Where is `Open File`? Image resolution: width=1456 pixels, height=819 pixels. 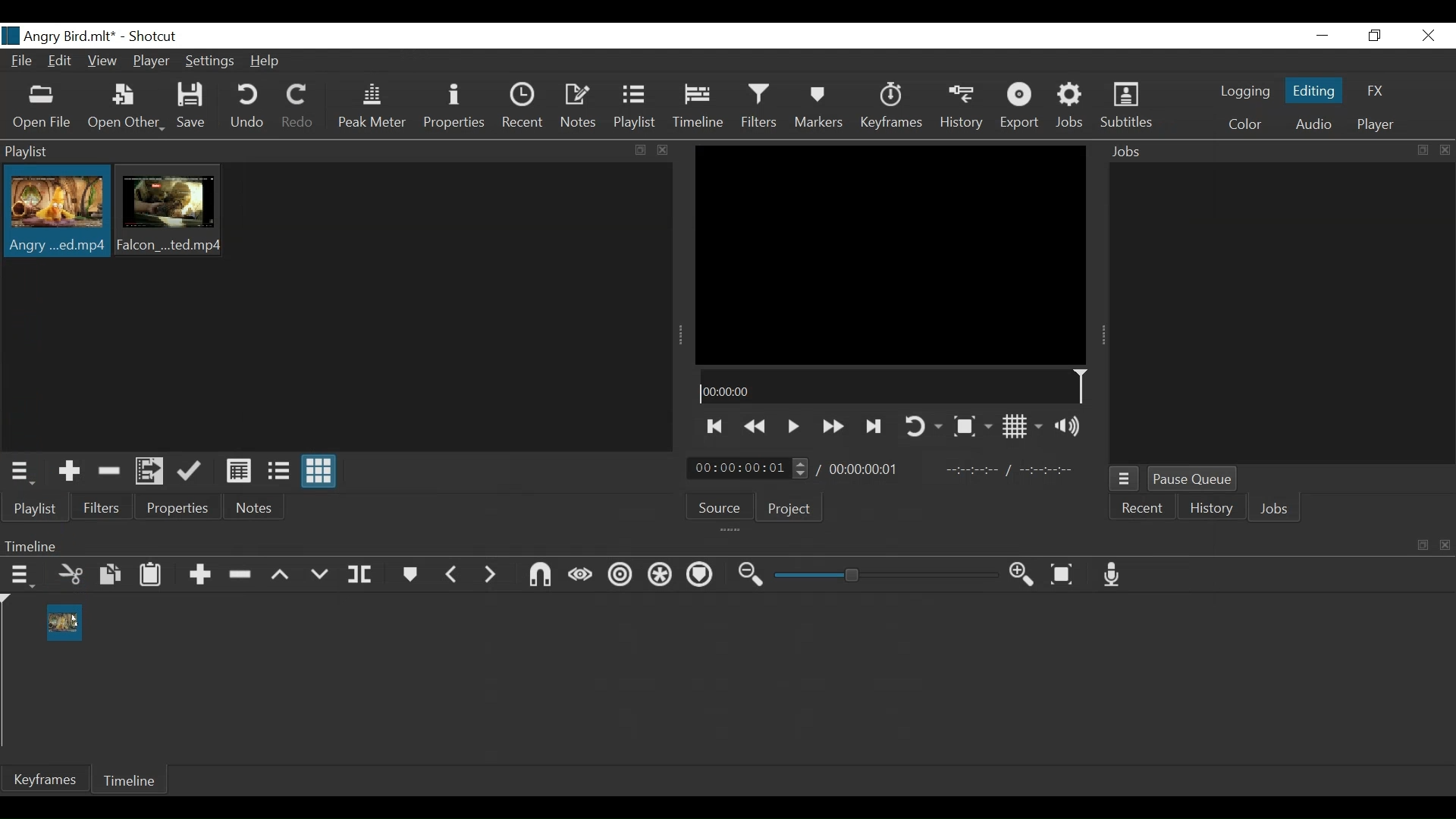
Open File is located at coordinates (42, 106).